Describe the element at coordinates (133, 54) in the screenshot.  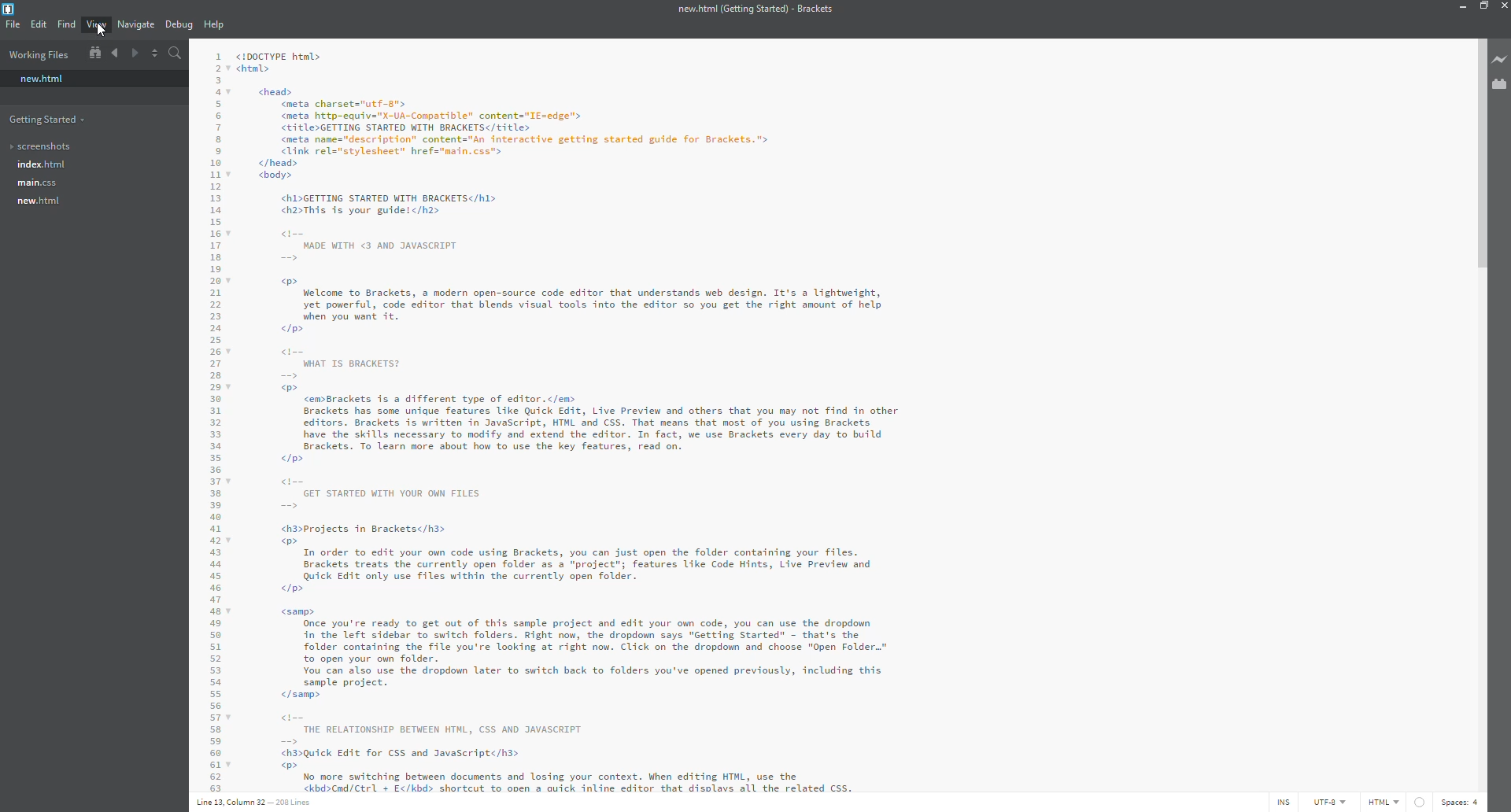
I see `forward` at that location.